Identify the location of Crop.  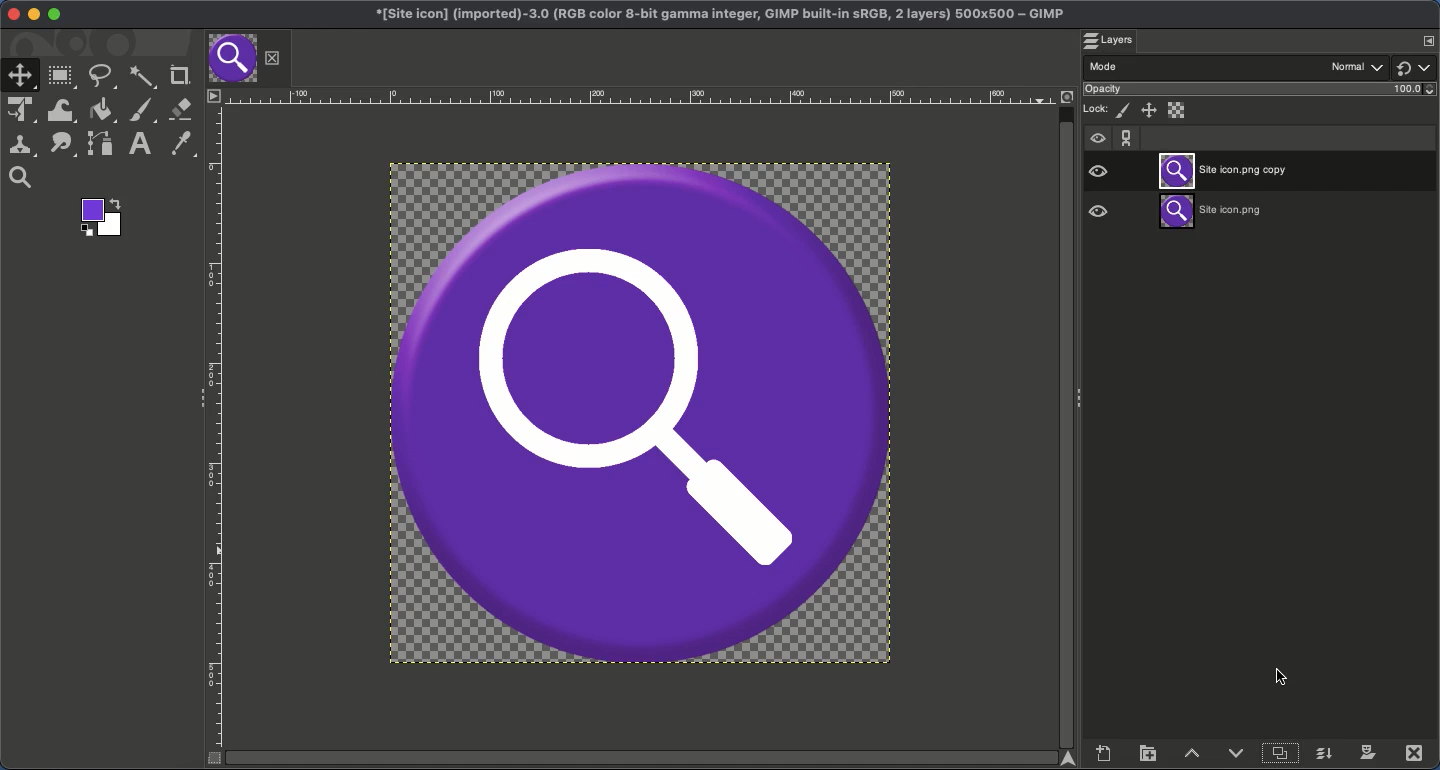
(179, 74).